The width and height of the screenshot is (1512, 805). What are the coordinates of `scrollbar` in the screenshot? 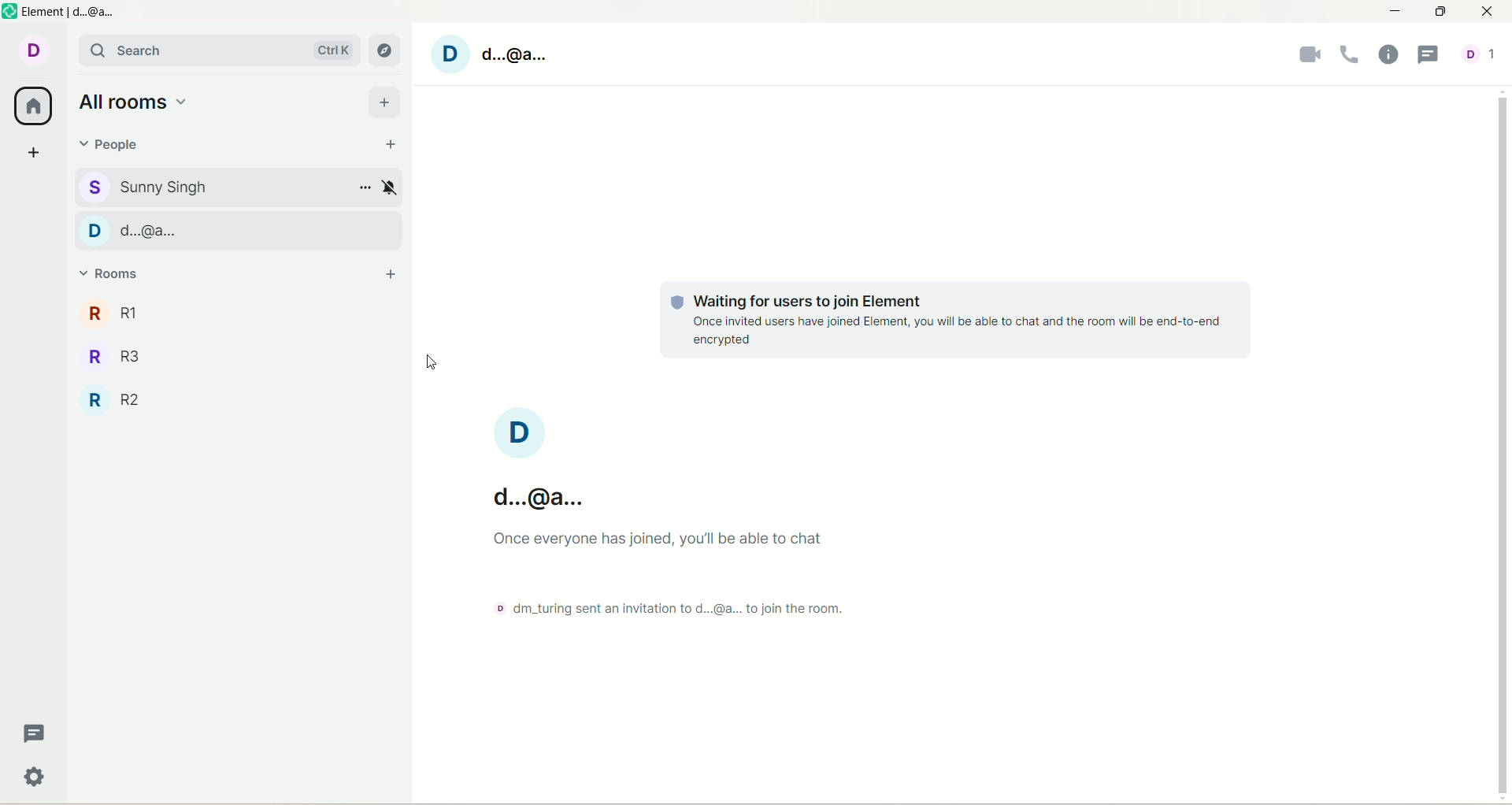 It's located at (1504, 443).